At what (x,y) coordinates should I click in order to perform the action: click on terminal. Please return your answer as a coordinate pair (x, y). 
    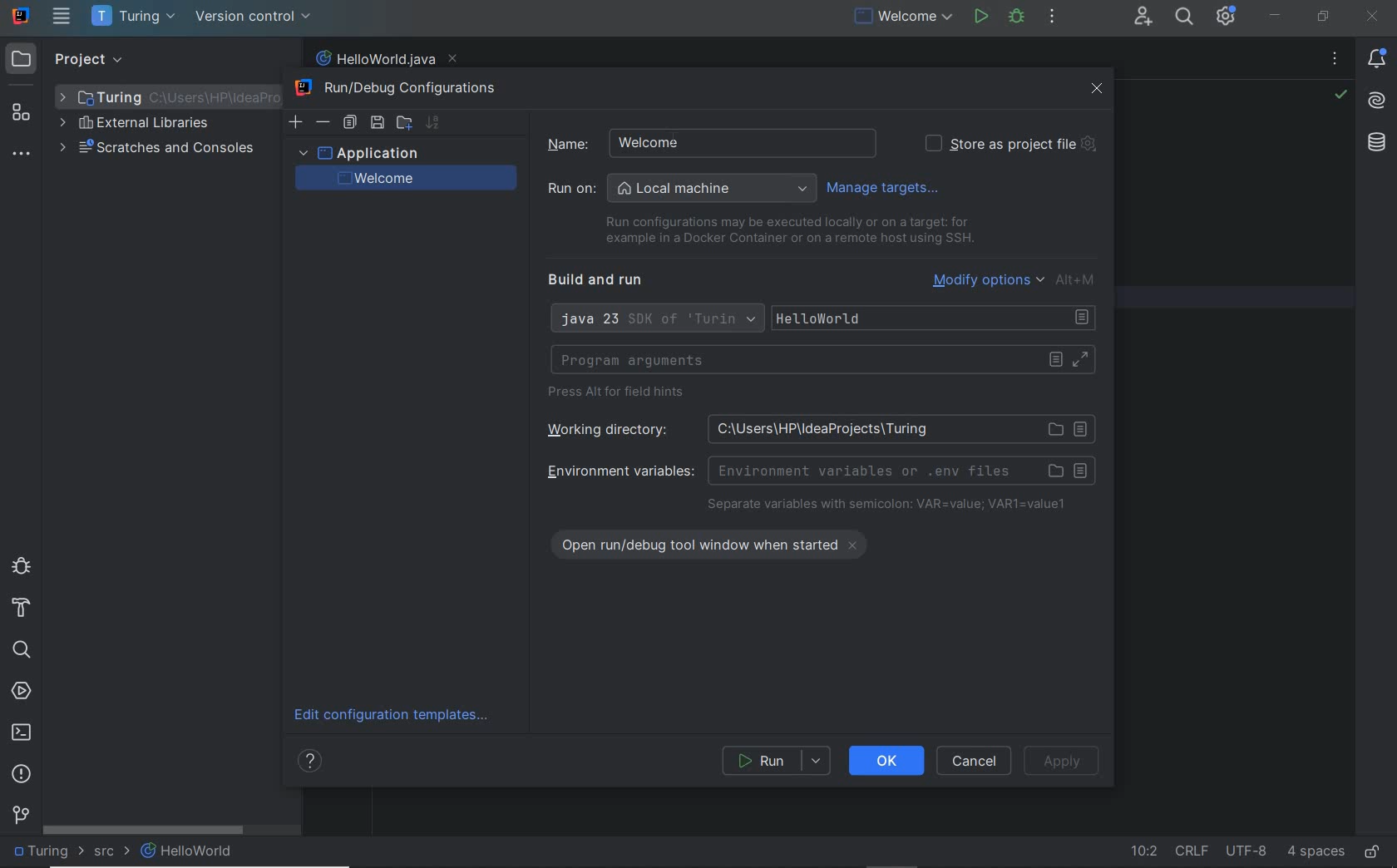
    Looking at the image, I should click on (22, 732).